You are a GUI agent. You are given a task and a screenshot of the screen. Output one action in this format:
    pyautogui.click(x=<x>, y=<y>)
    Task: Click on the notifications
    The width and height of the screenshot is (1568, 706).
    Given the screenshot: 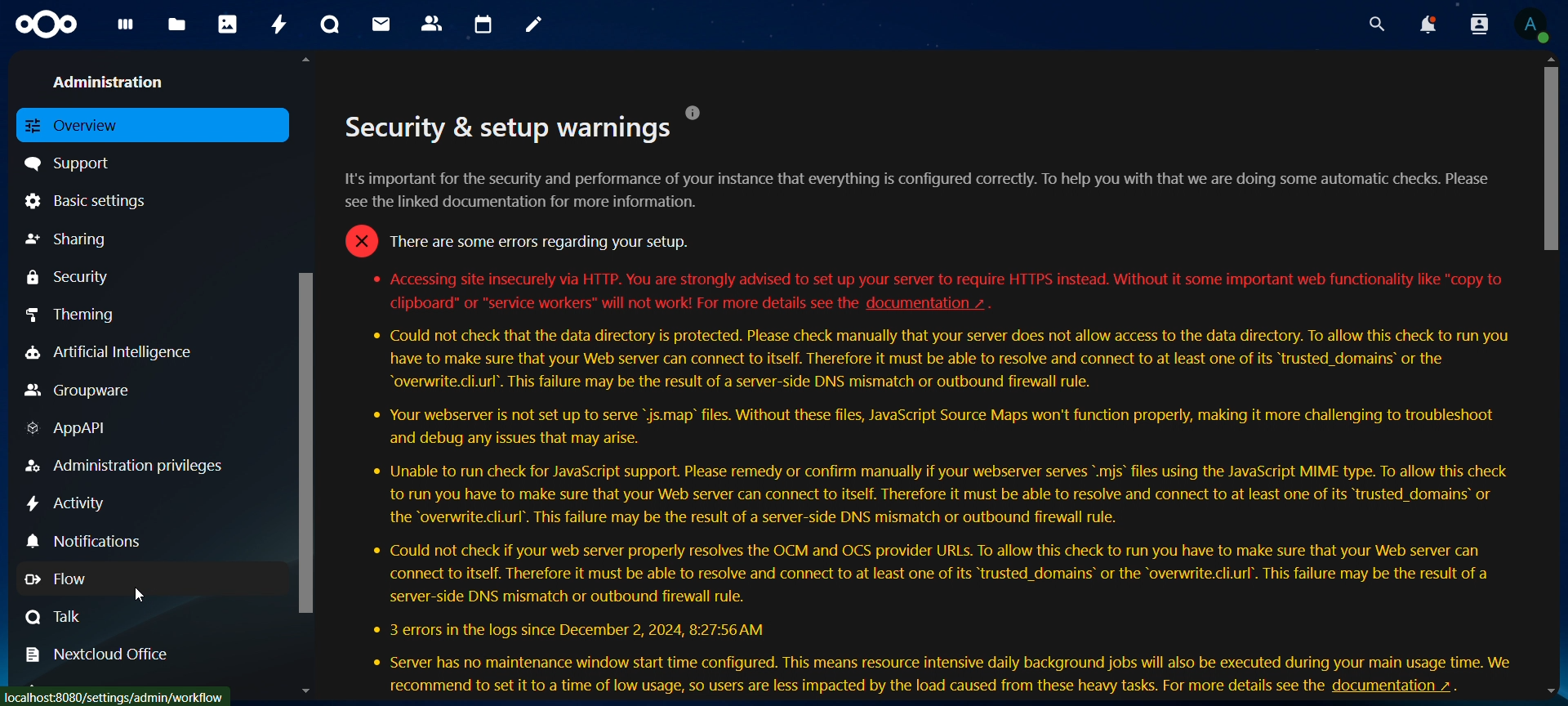 What is the action you would take?
    pyautogui.click(x=1427, y=25)
    